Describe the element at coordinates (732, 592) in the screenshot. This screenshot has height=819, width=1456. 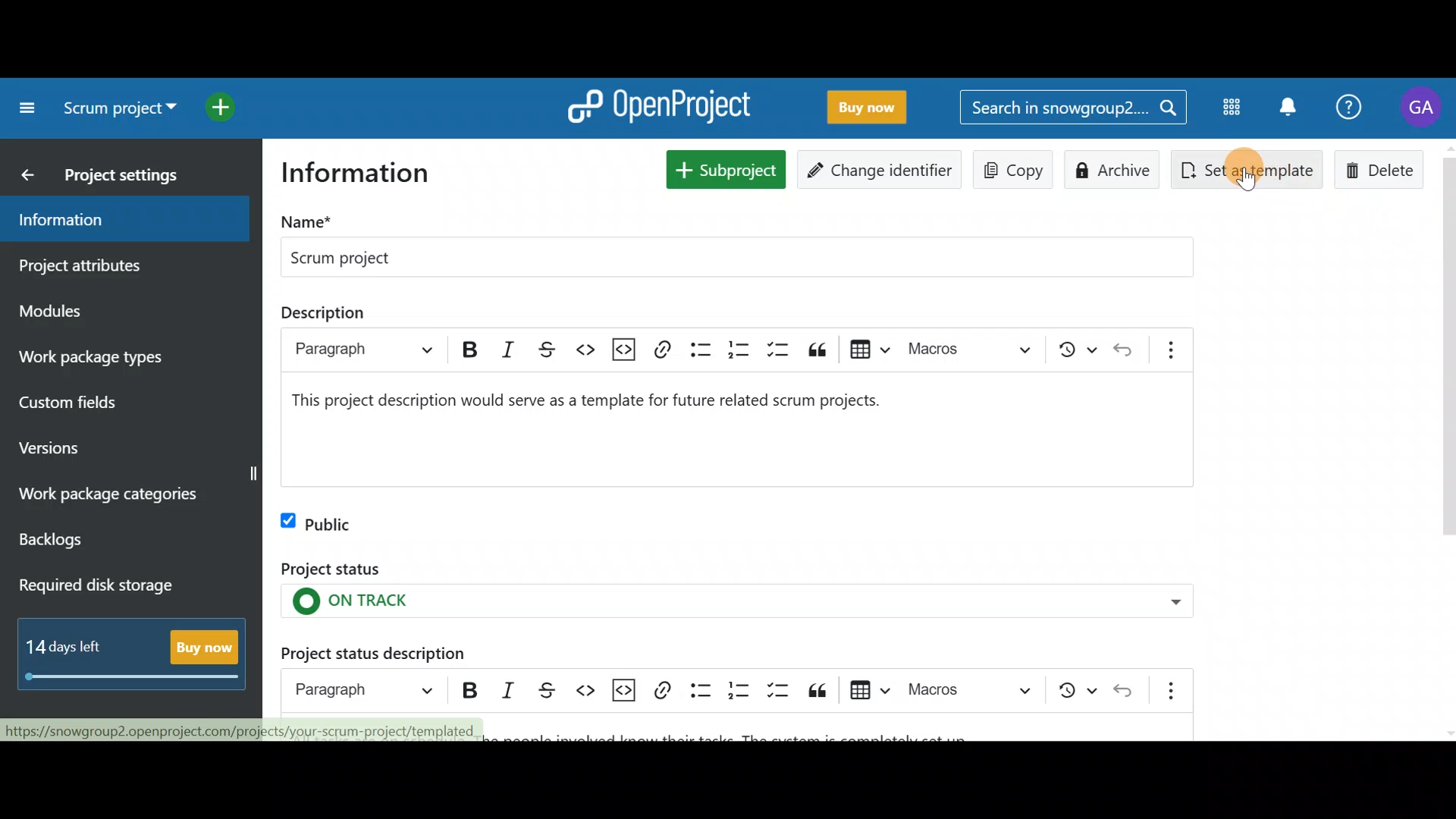
I see `Project status` at that location.